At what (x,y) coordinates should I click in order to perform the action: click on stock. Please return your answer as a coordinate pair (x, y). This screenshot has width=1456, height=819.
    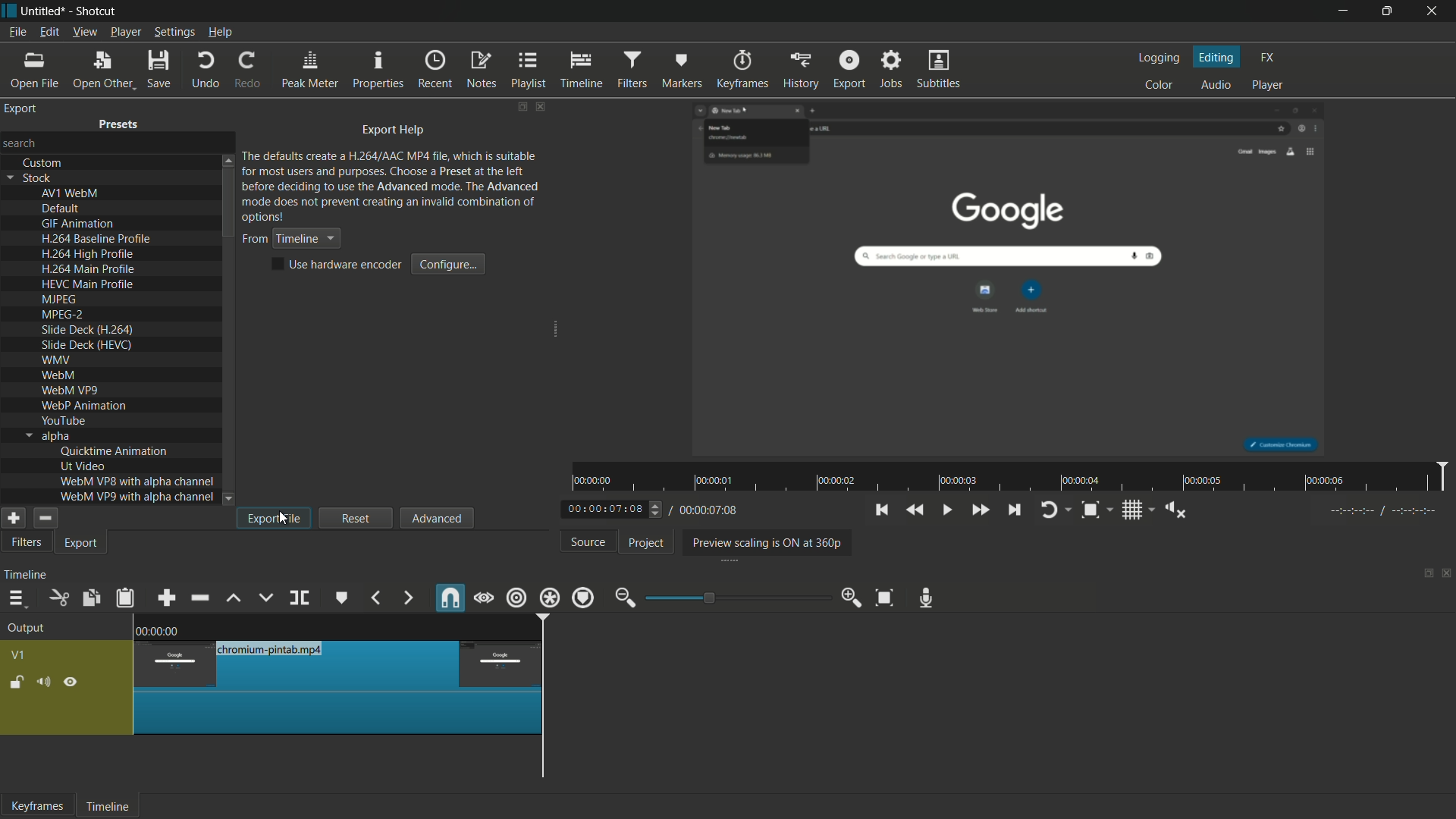
    Looking at the image, I should click on (34, 178).